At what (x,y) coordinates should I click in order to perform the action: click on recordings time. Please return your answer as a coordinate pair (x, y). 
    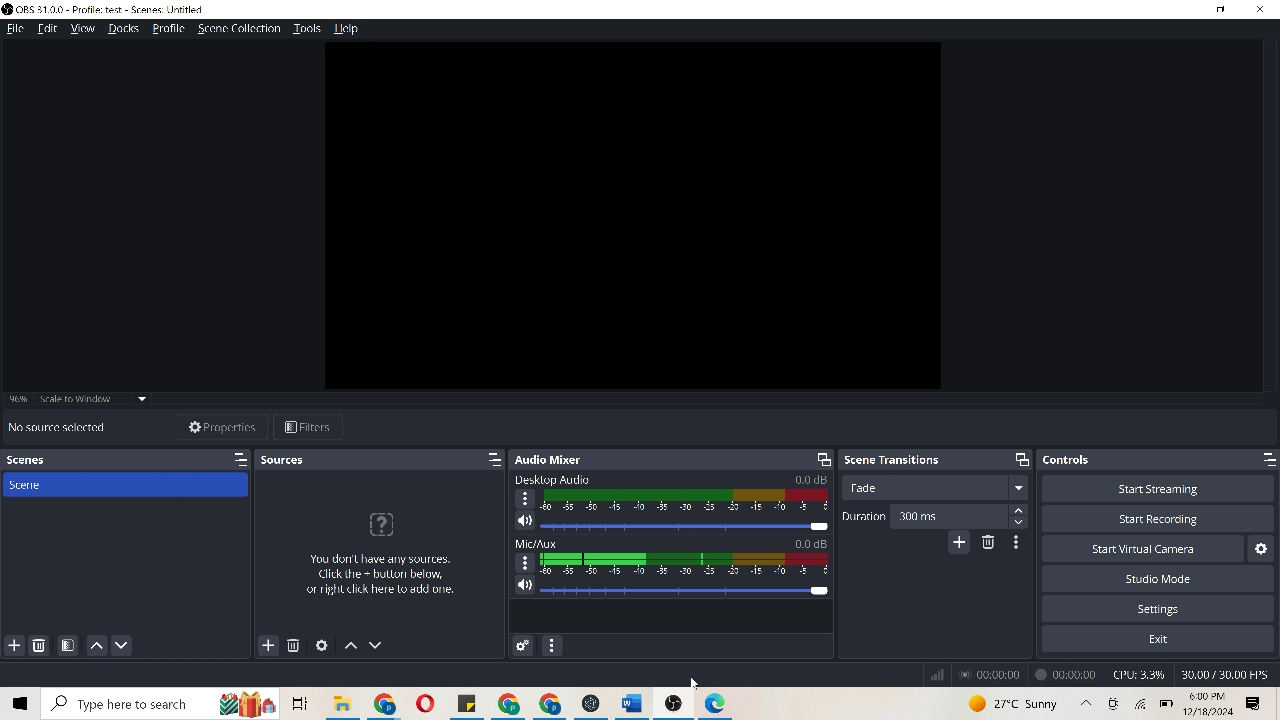
    Looking at the image, I should click on (1031, 673).